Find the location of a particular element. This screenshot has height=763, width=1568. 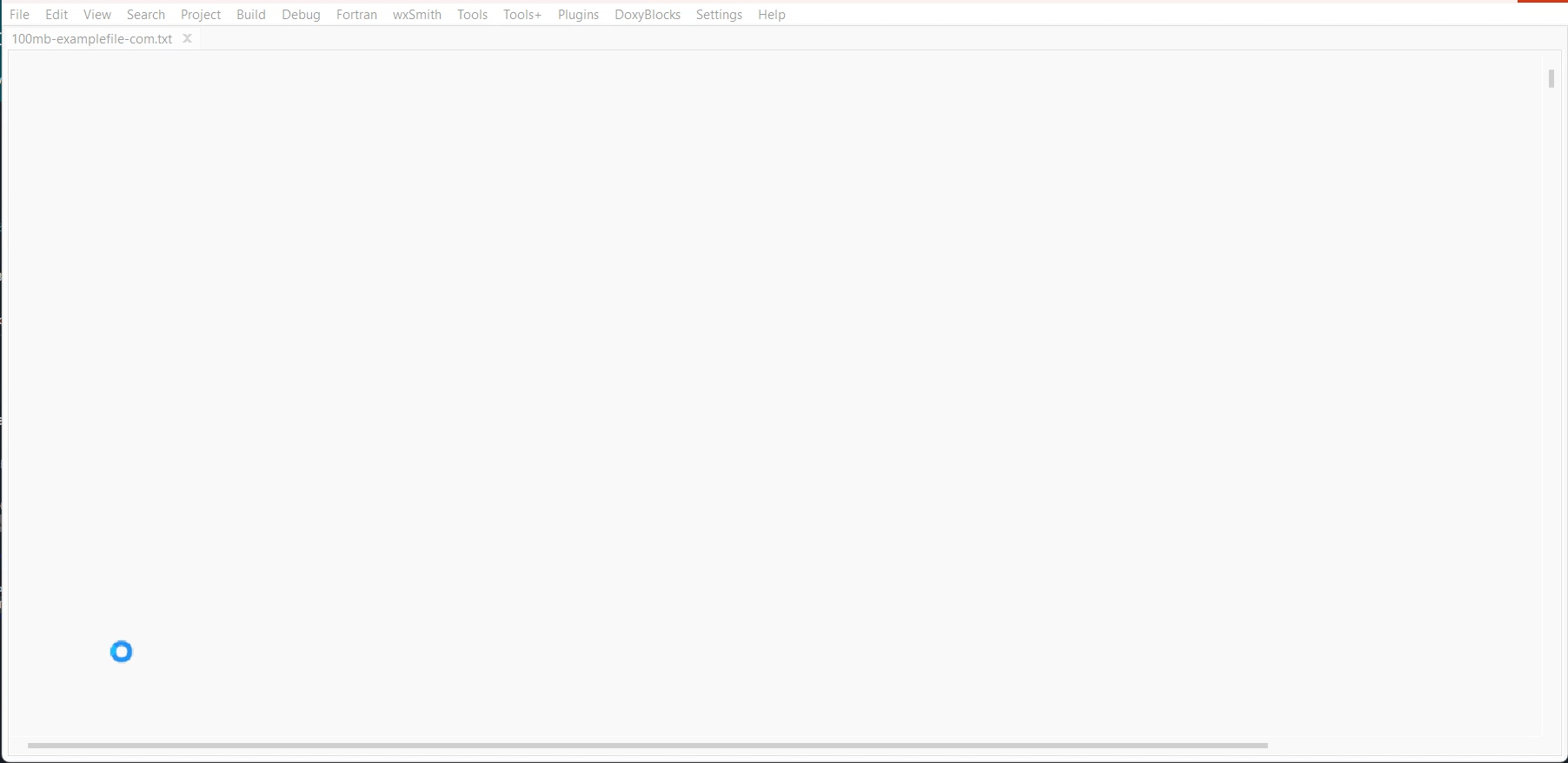

Plugins is located at coordinates (578, 15).